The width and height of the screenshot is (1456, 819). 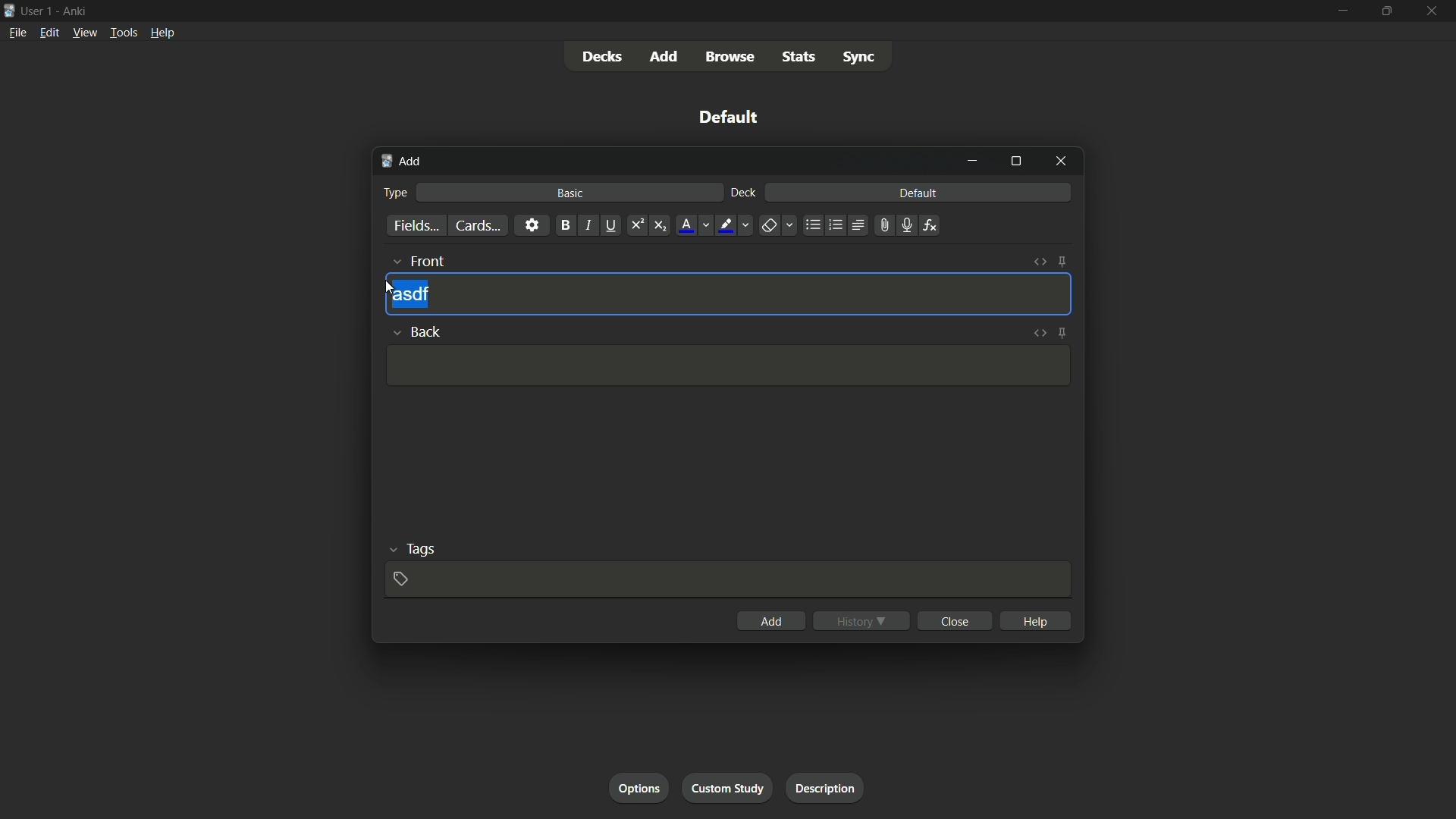 I want to click on add, so click(x=772, y=620).